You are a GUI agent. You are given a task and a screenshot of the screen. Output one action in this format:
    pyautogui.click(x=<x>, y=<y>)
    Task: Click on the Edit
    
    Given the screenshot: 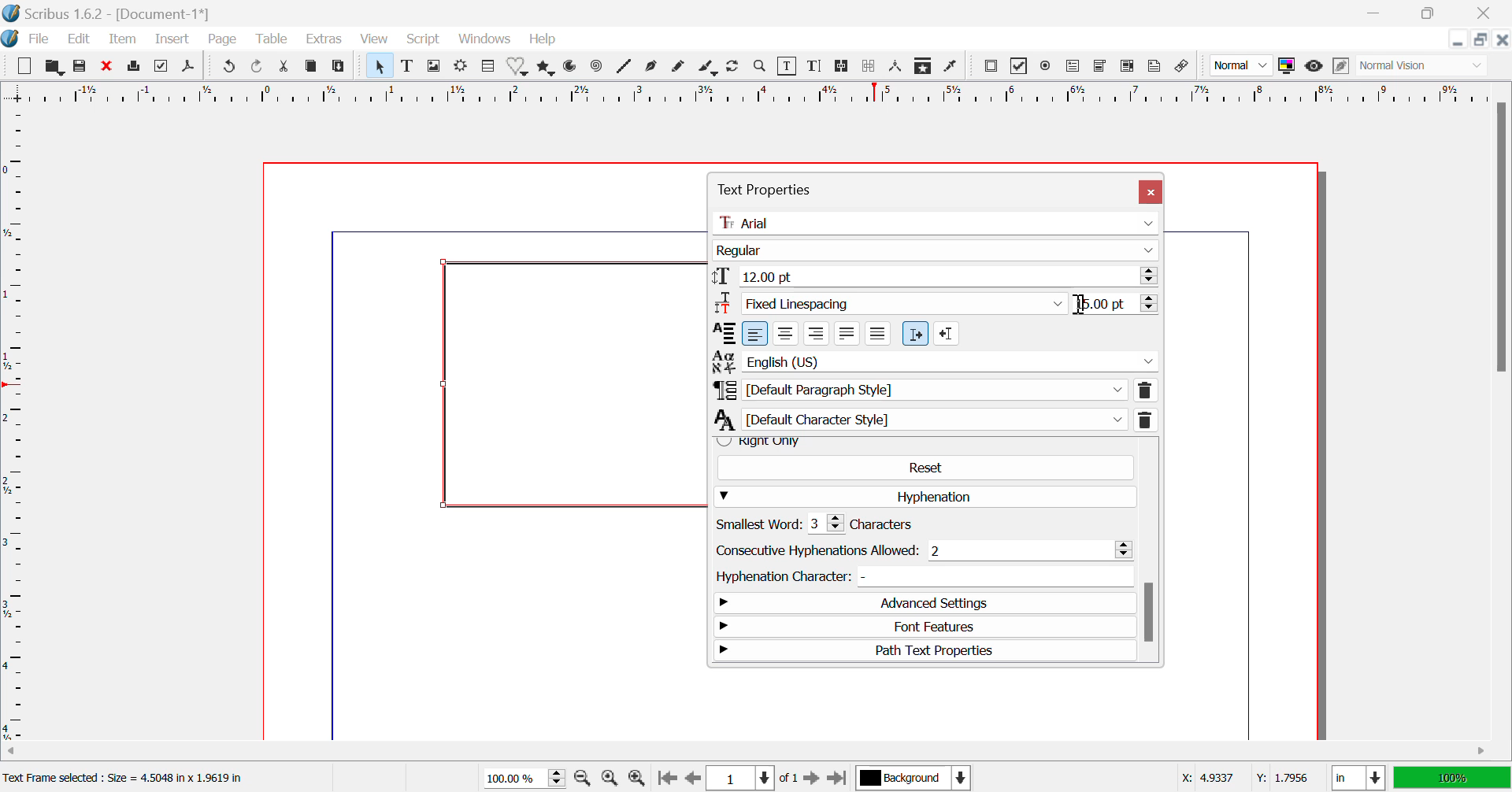 What is the action you would take?
    pyautogui.click(x=81, y=41)
    